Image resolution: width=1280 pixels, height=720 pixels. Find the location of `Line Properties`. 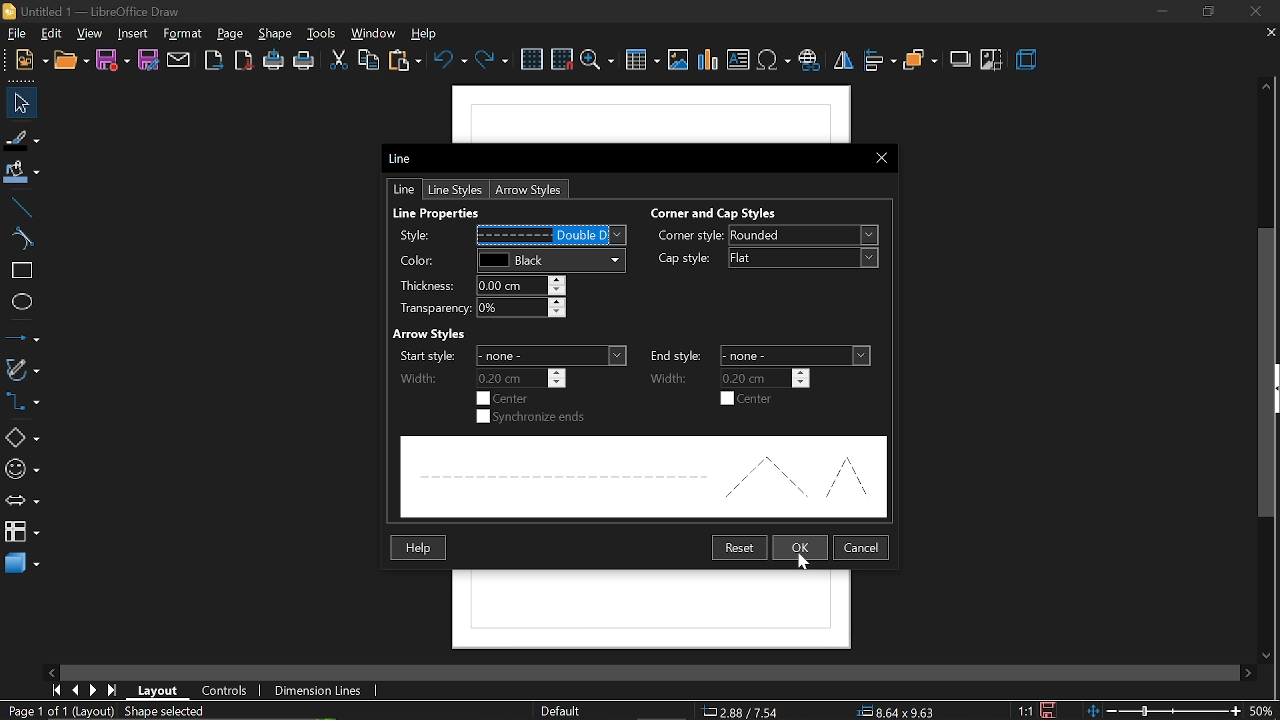

Line Properties is located at coordinates (459, 212).